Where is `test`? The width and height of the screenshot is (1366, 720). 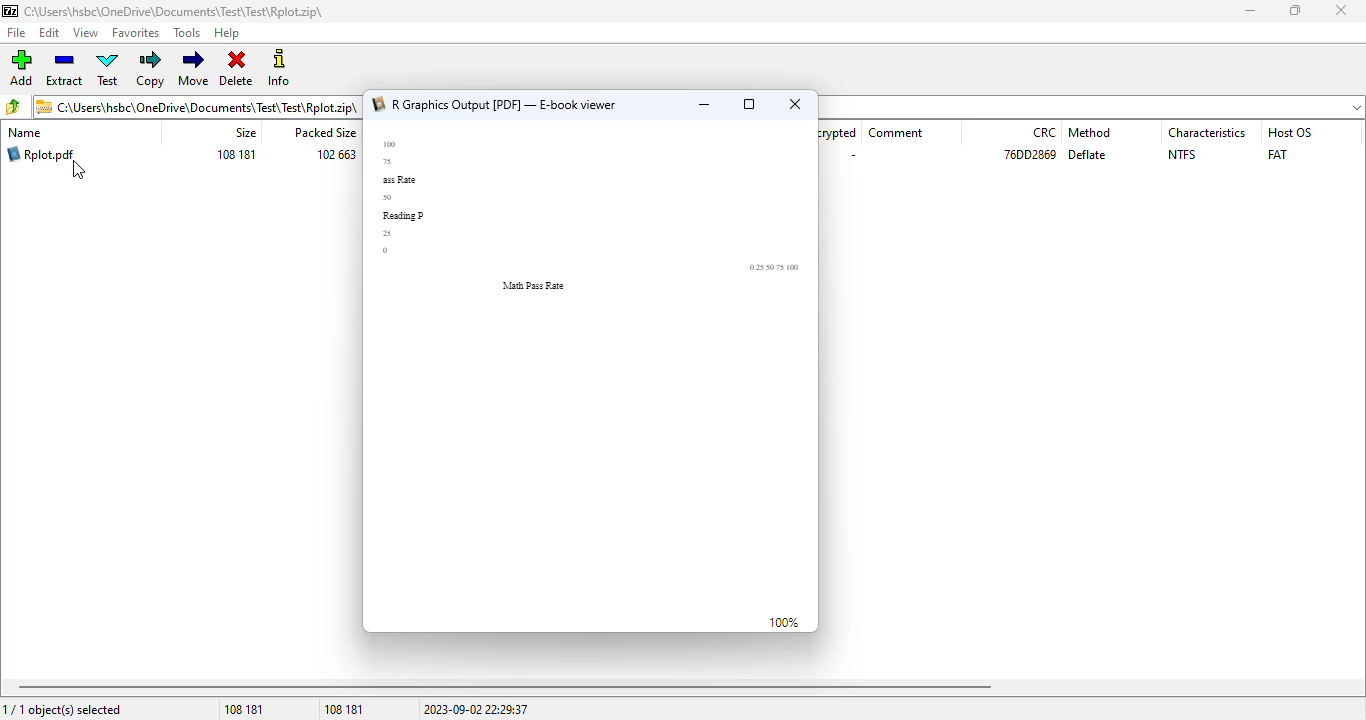 test is located at coordinates (108, 69).